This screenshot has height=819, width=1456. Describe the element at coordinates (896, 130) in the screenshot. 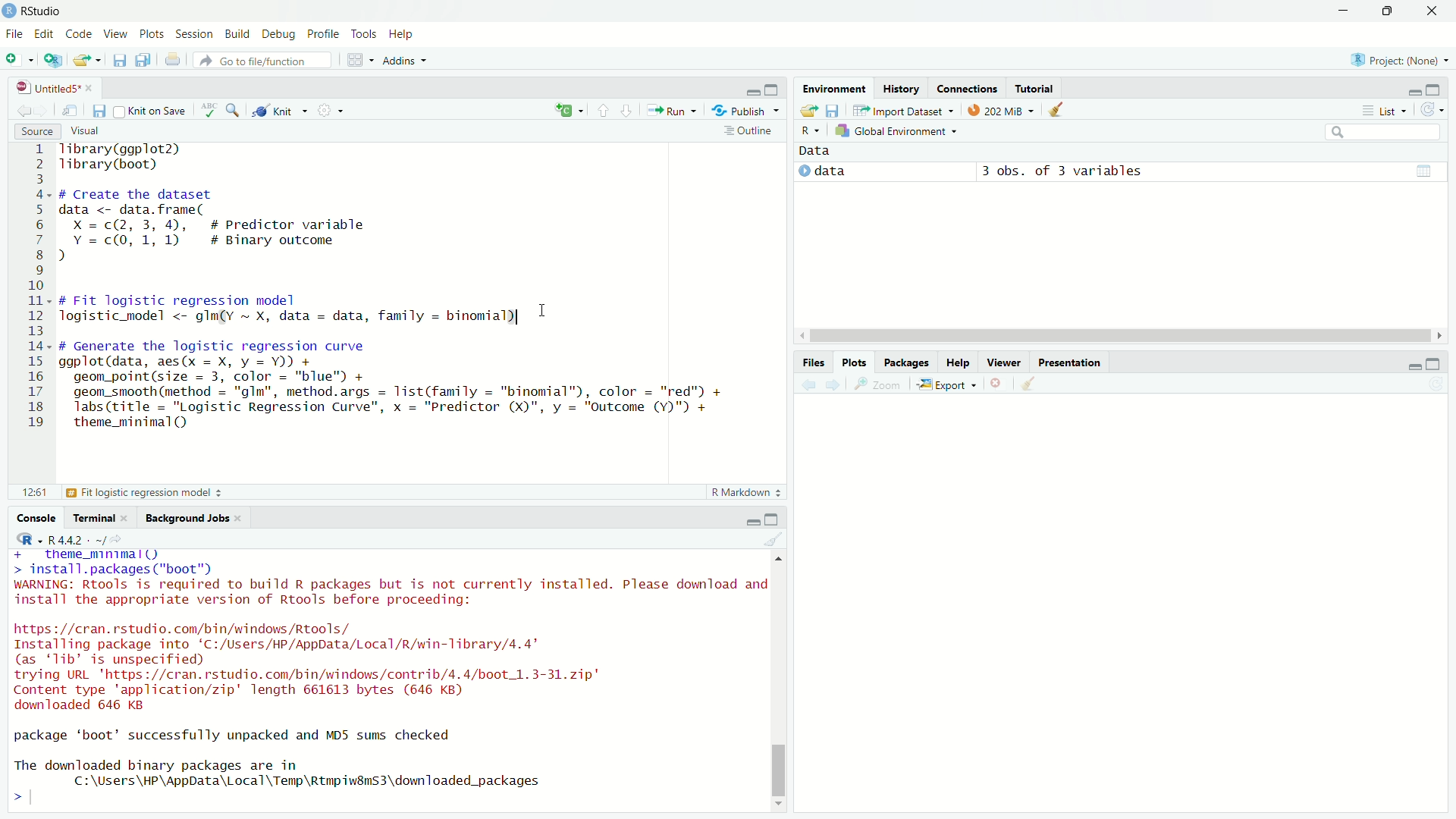

I see `Global Environment` at that location.